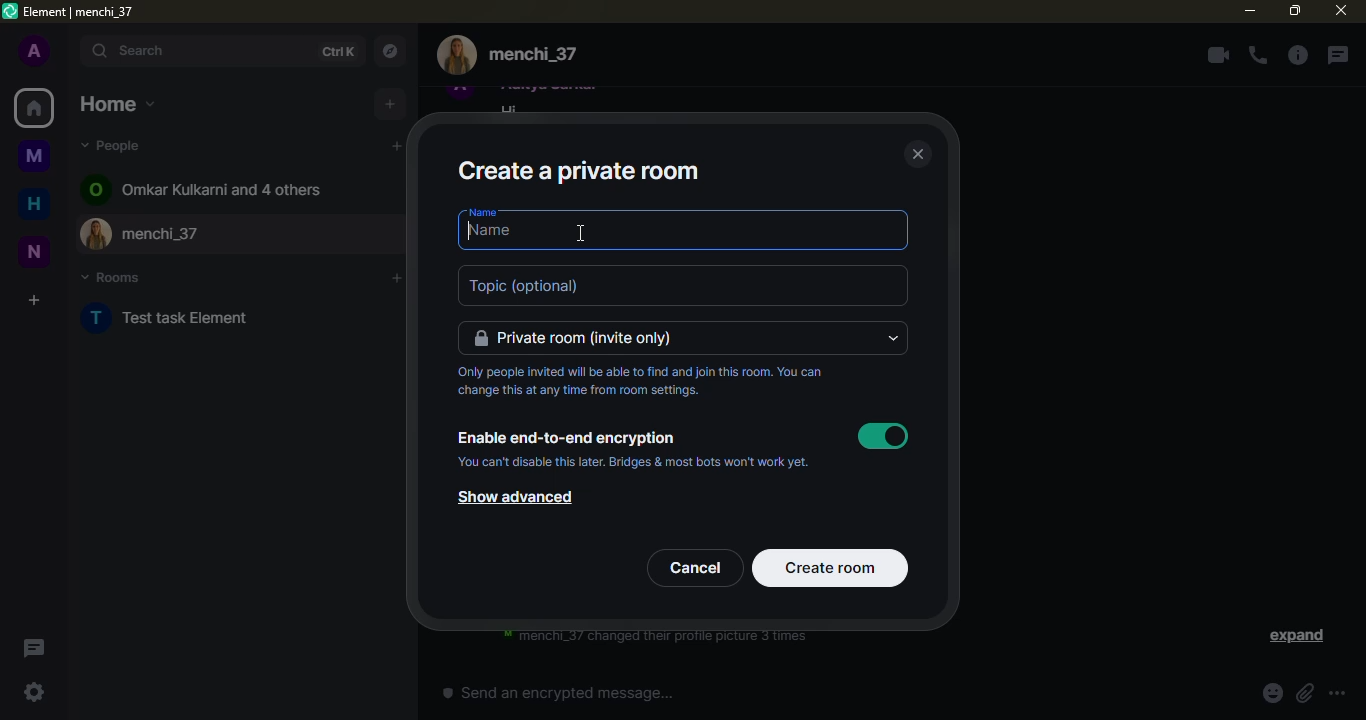  What do you see at coordinates (112, 277) in the screenshot?
I see `rooms` at bounding box center [112, 277].